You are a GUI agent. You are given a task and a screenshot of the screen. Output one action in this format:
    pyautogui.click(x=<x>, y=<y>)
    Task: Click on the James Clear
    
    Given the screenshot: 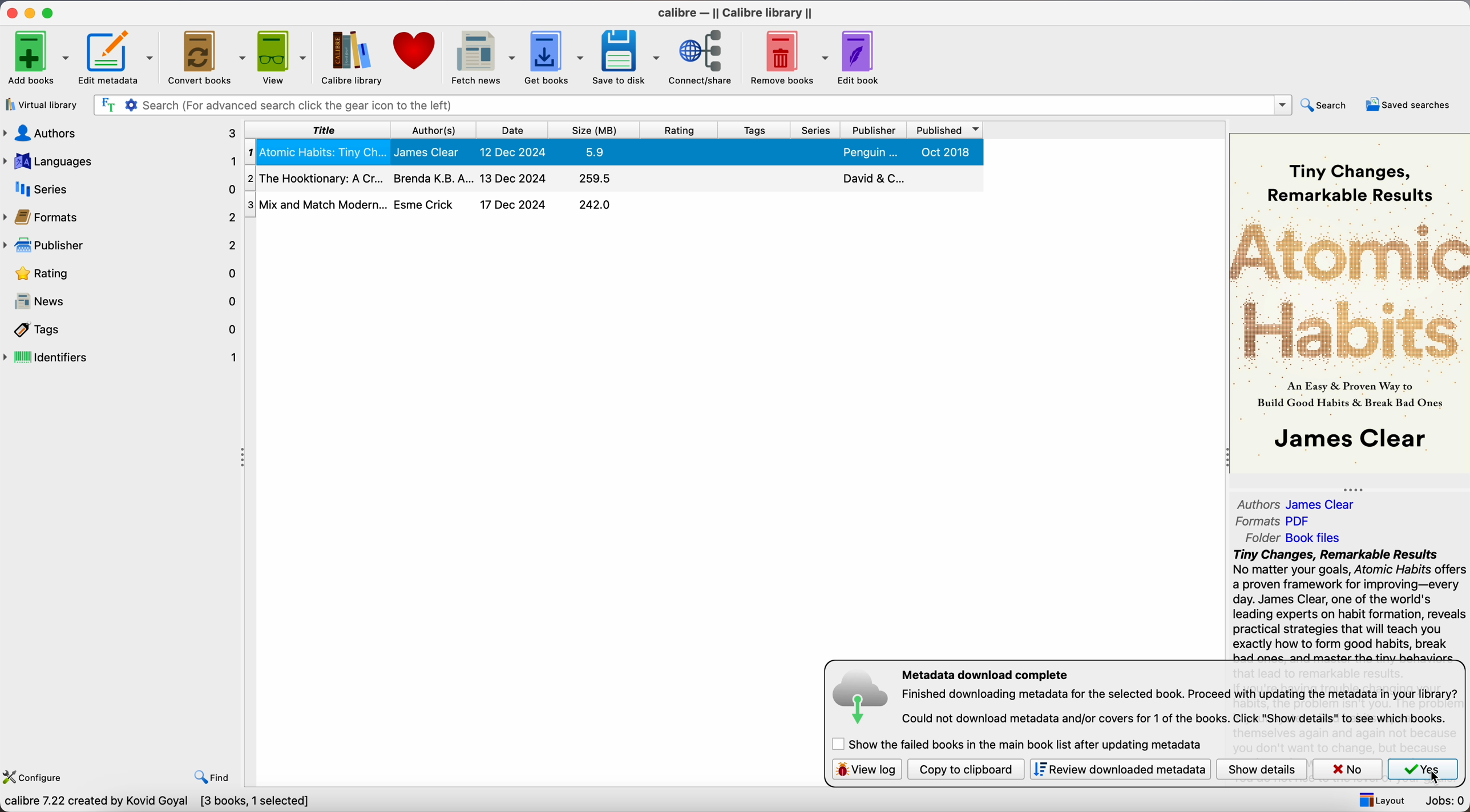 What is the action you would take?
    pyautogui.click(x=430, y=152)
    